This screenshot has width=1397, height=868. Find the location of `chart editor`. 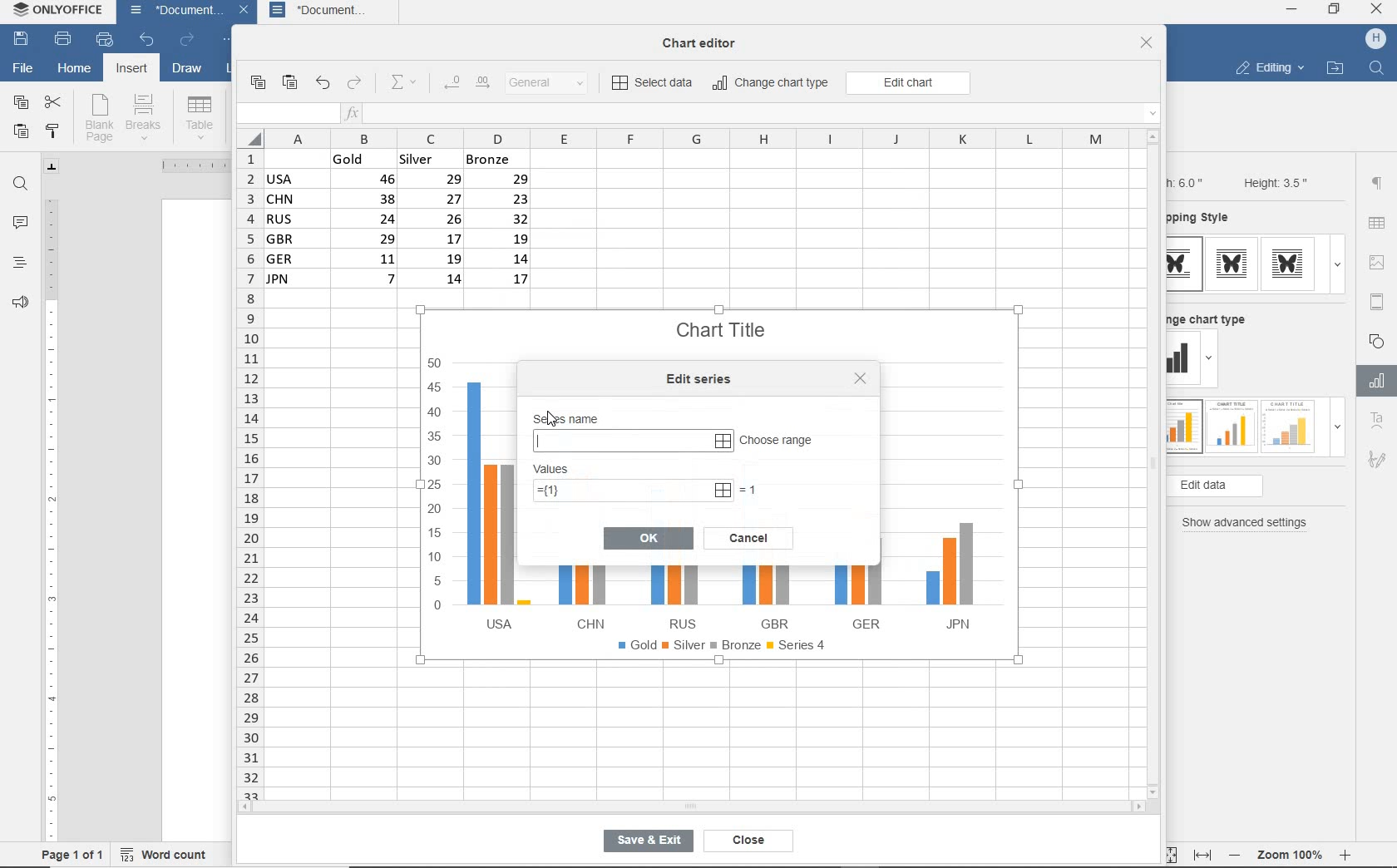

chart editor is located at coordinates (705, 38).